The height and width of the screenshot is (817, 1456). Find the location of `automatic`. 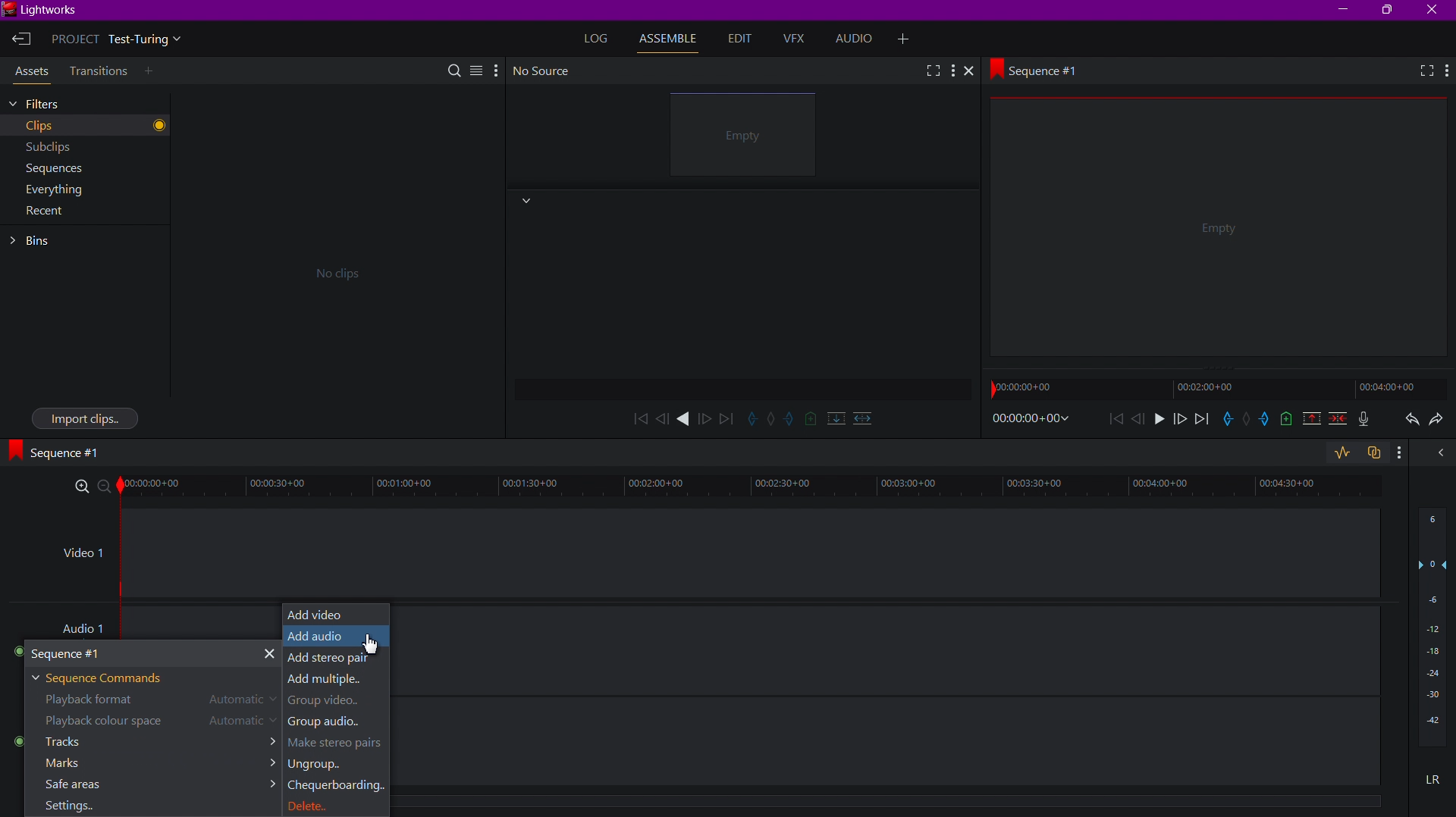

automatic is located at coordinates (244, 722).